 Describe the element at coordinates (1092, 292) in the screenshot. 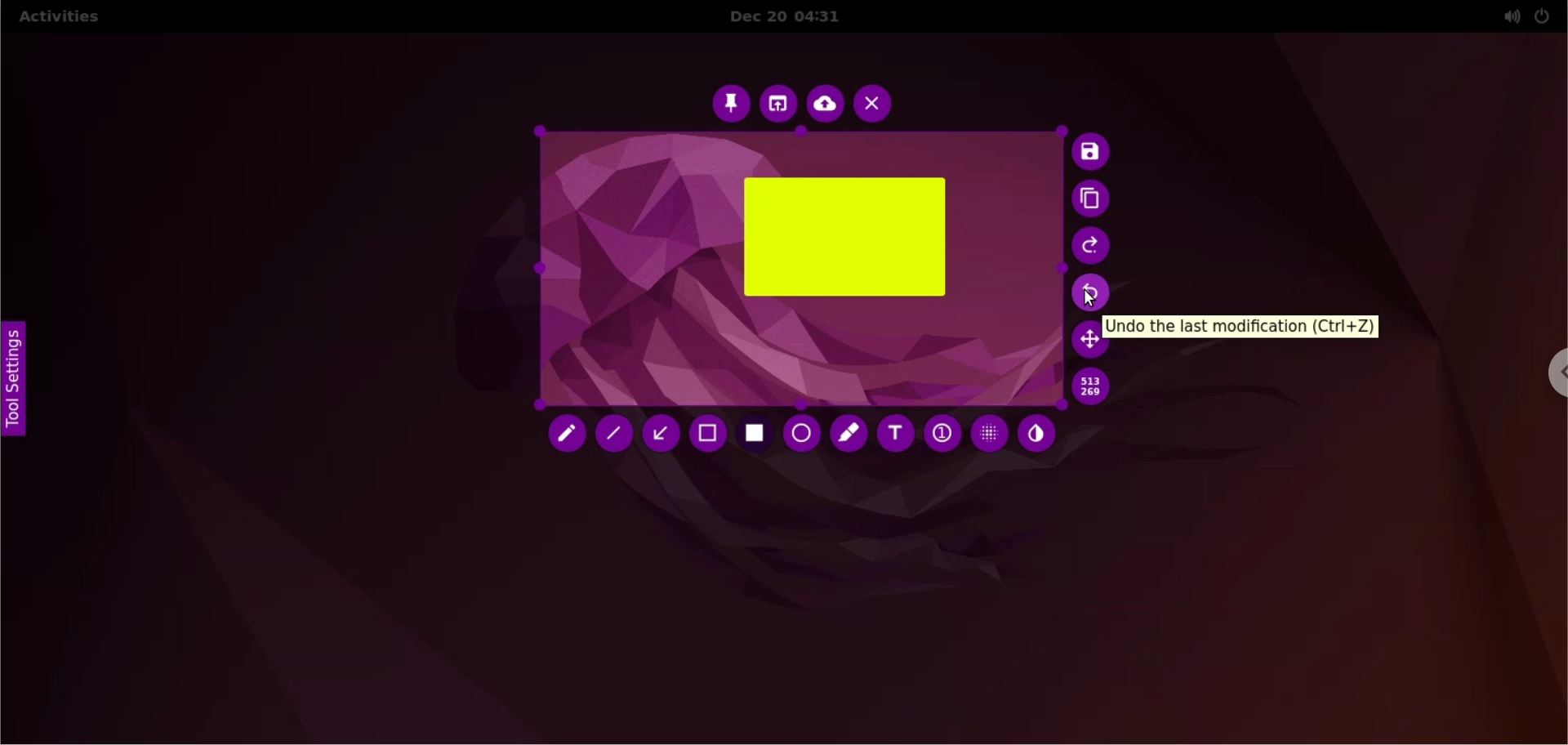

I see `undo` at that location.